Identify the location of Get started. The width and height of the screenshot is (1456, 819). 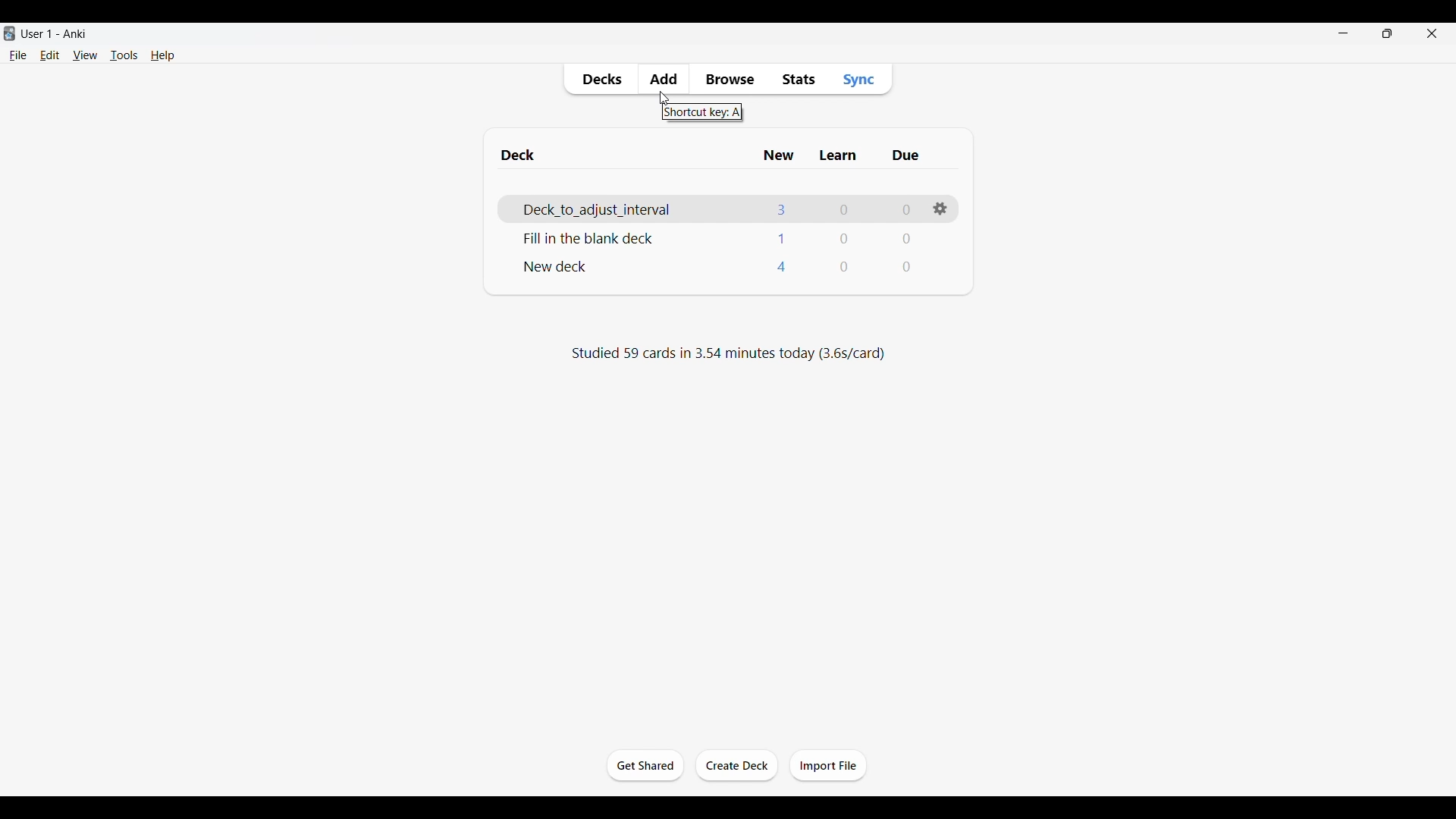
(645, 765).